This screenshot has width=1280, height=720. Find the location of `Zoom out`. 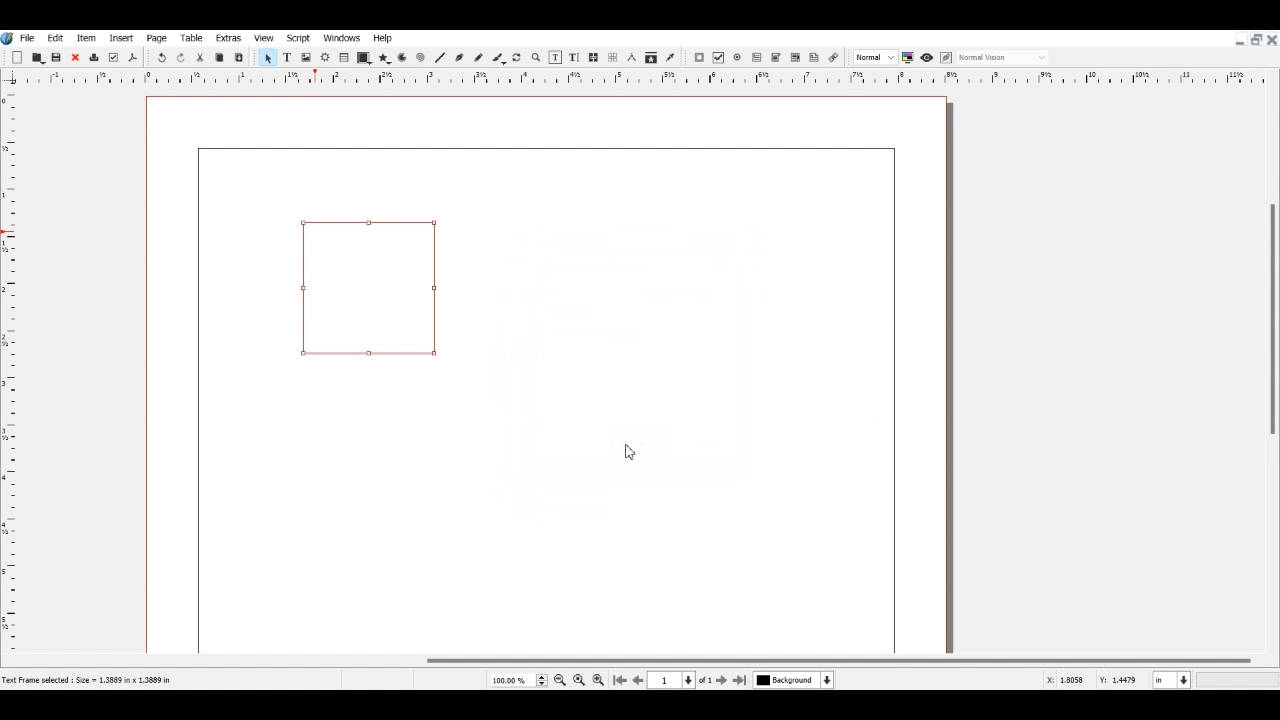

Zoom out is located at coordinates (561, 680).